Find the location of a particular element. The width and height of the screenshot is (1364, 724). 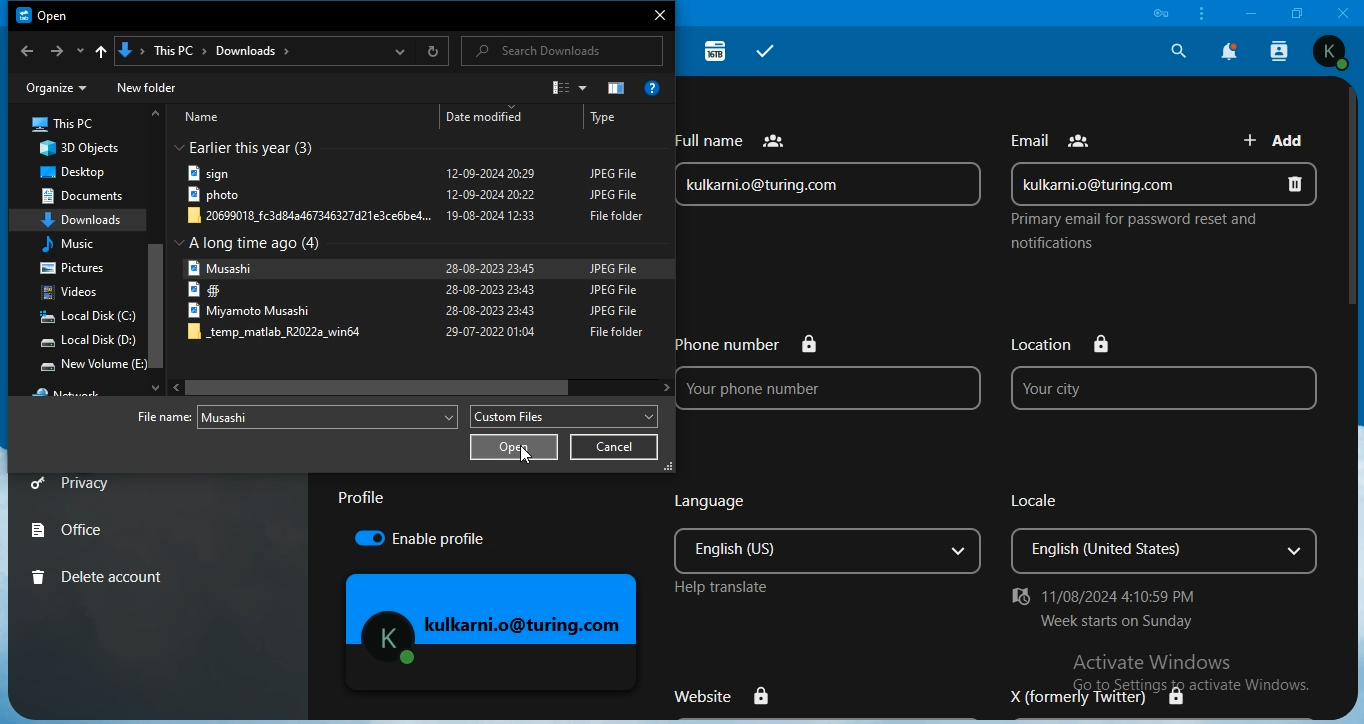

file is located at coordinates (412, 311).